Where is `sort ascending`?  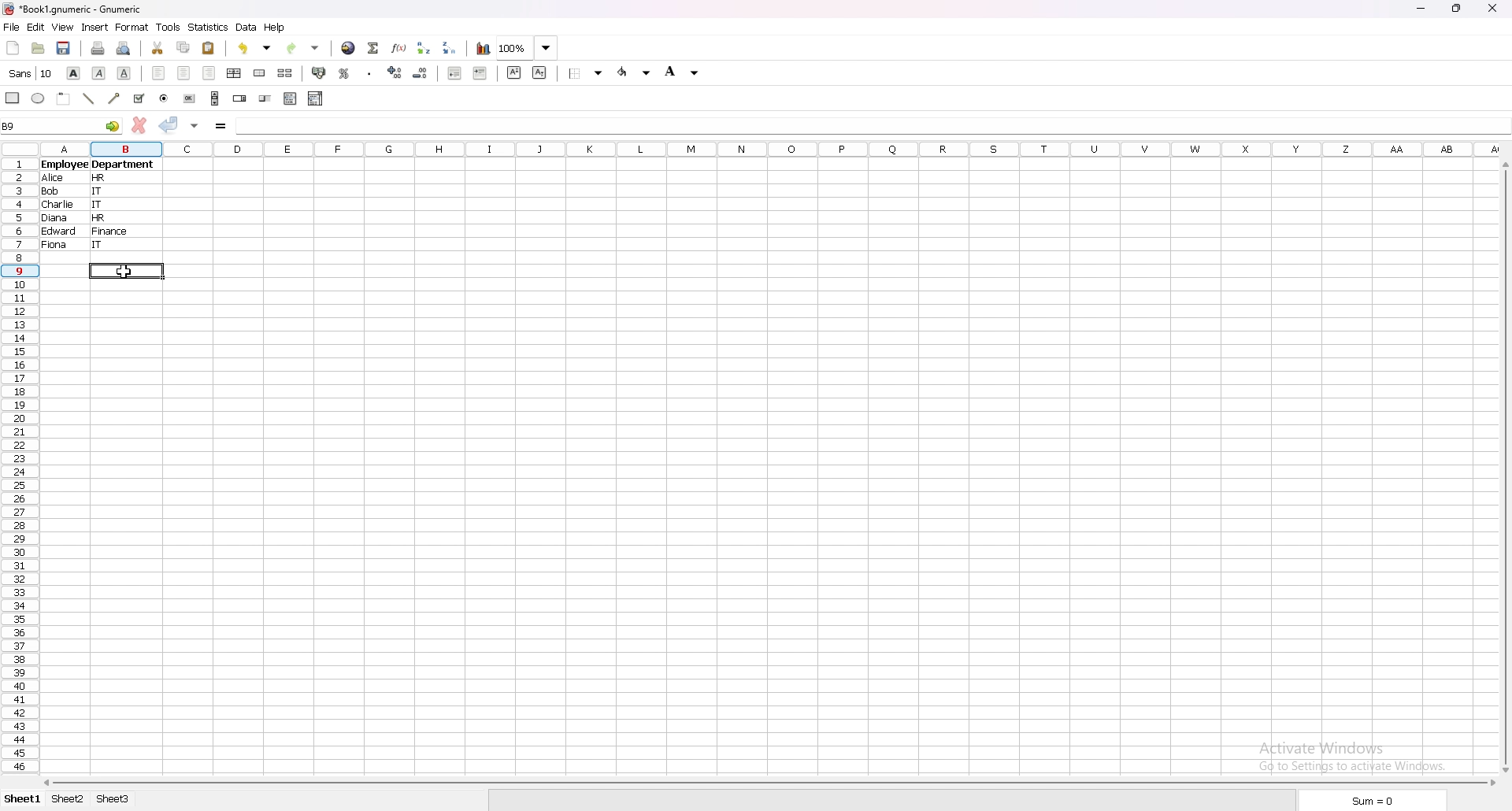
sort ascending is located at coordinates (424, 48).